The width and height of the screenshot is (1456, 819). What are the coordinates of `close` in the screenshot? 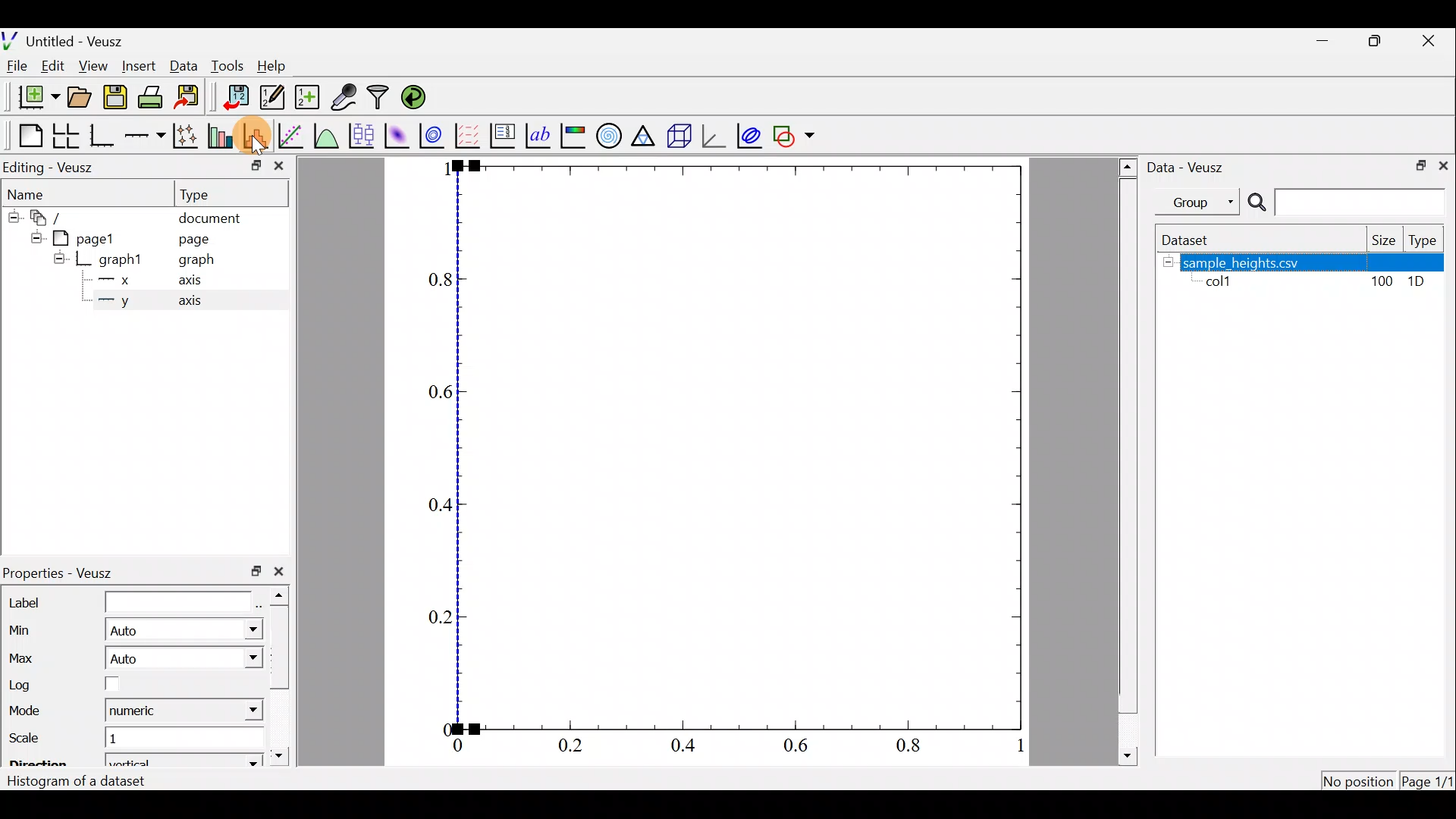 It's located at (284, 572).